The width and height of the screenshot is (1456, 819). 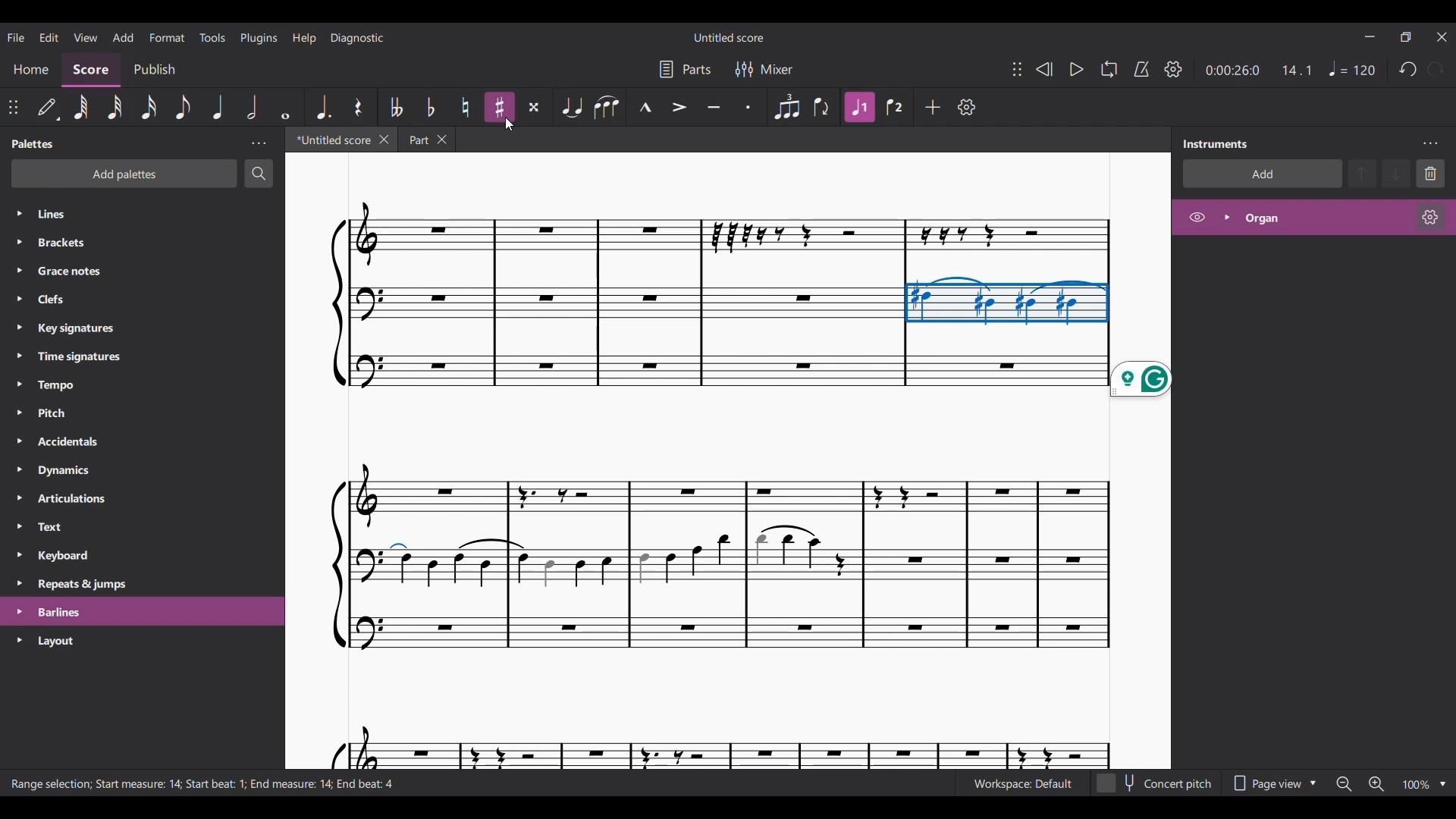 I want to click on Default, so click(x=47, y=106).